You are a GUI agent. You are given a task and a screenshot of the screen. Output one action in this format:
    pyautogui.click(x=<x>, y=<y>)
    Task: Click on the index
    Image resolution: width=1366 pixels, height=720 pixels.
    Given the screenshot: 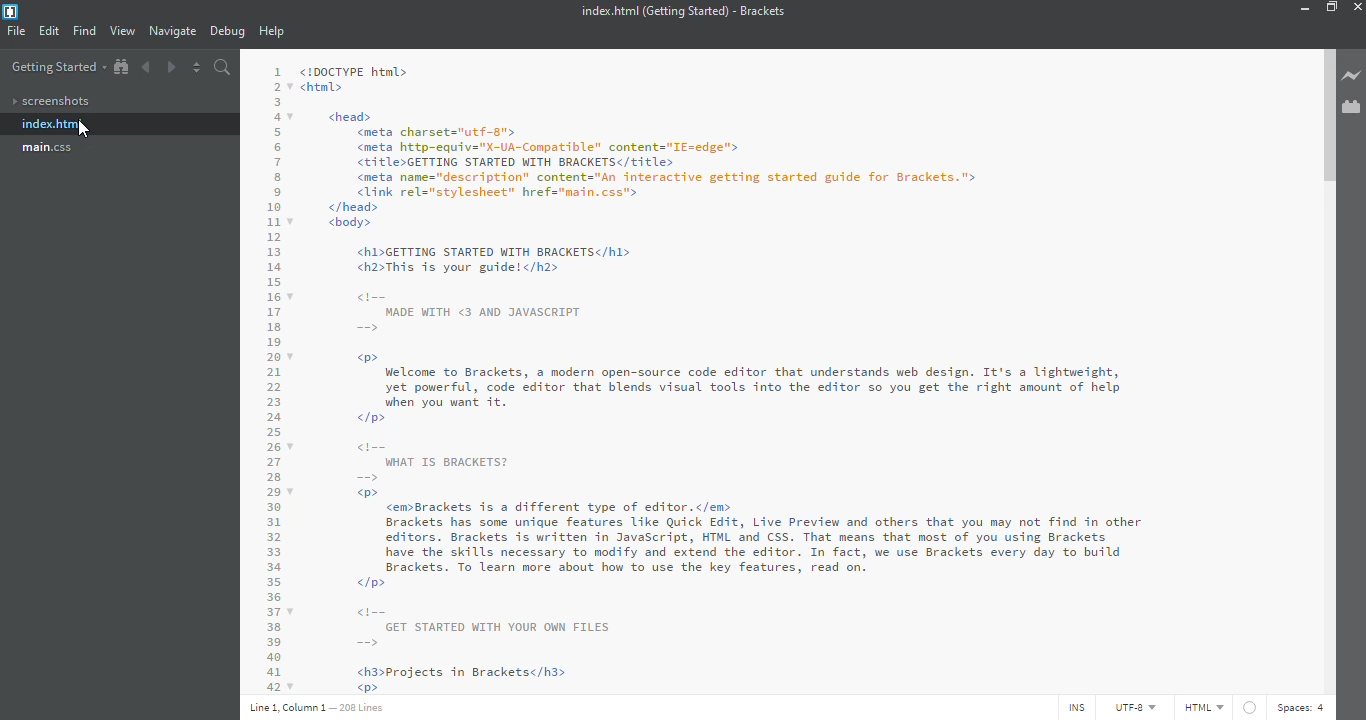 What is the action you would take?
    pyautogui.click(x=54, y=124)
    